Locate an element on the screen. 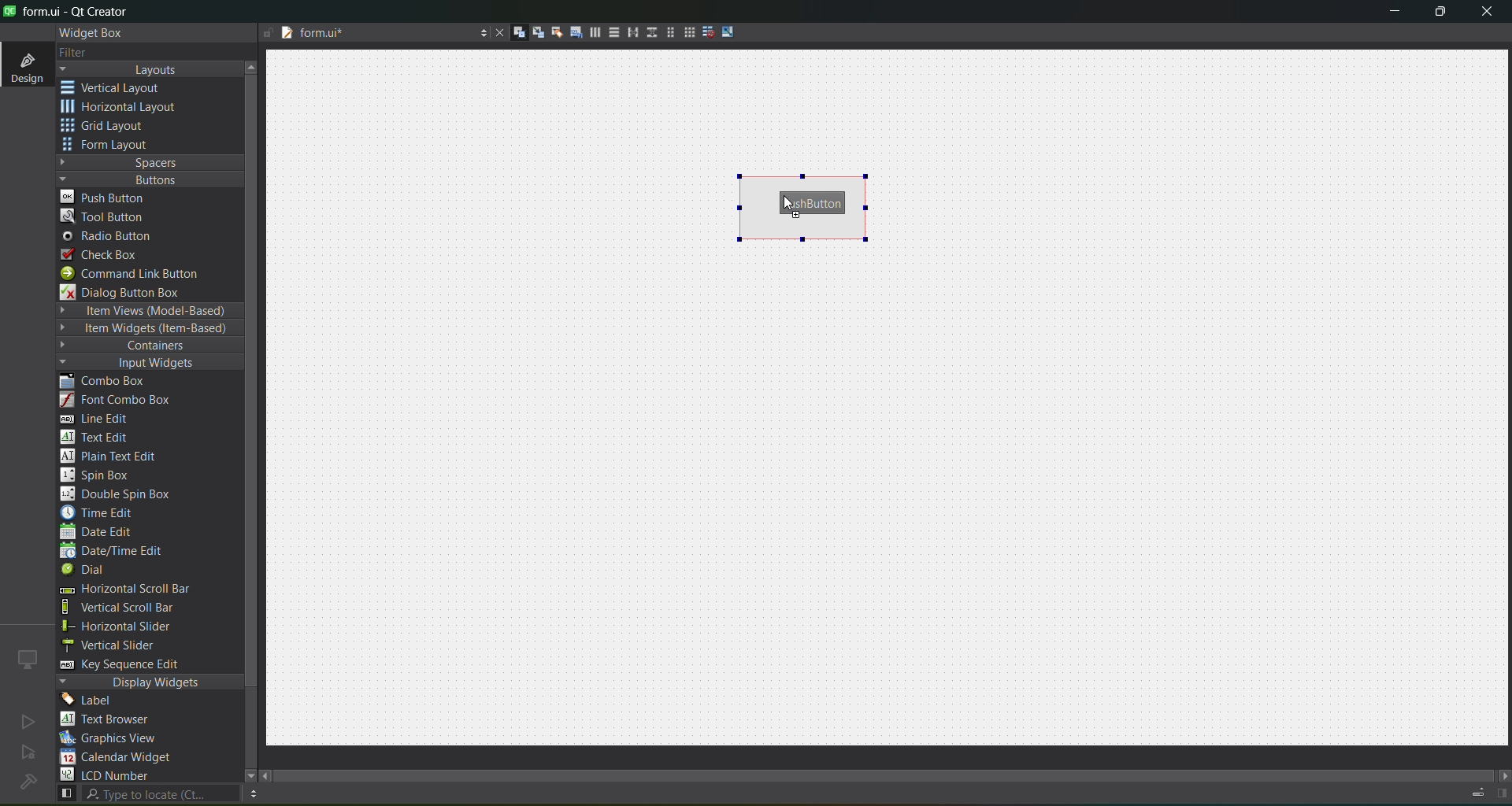 The image size is (1512, 806). label is located at coordinates (91, 701).